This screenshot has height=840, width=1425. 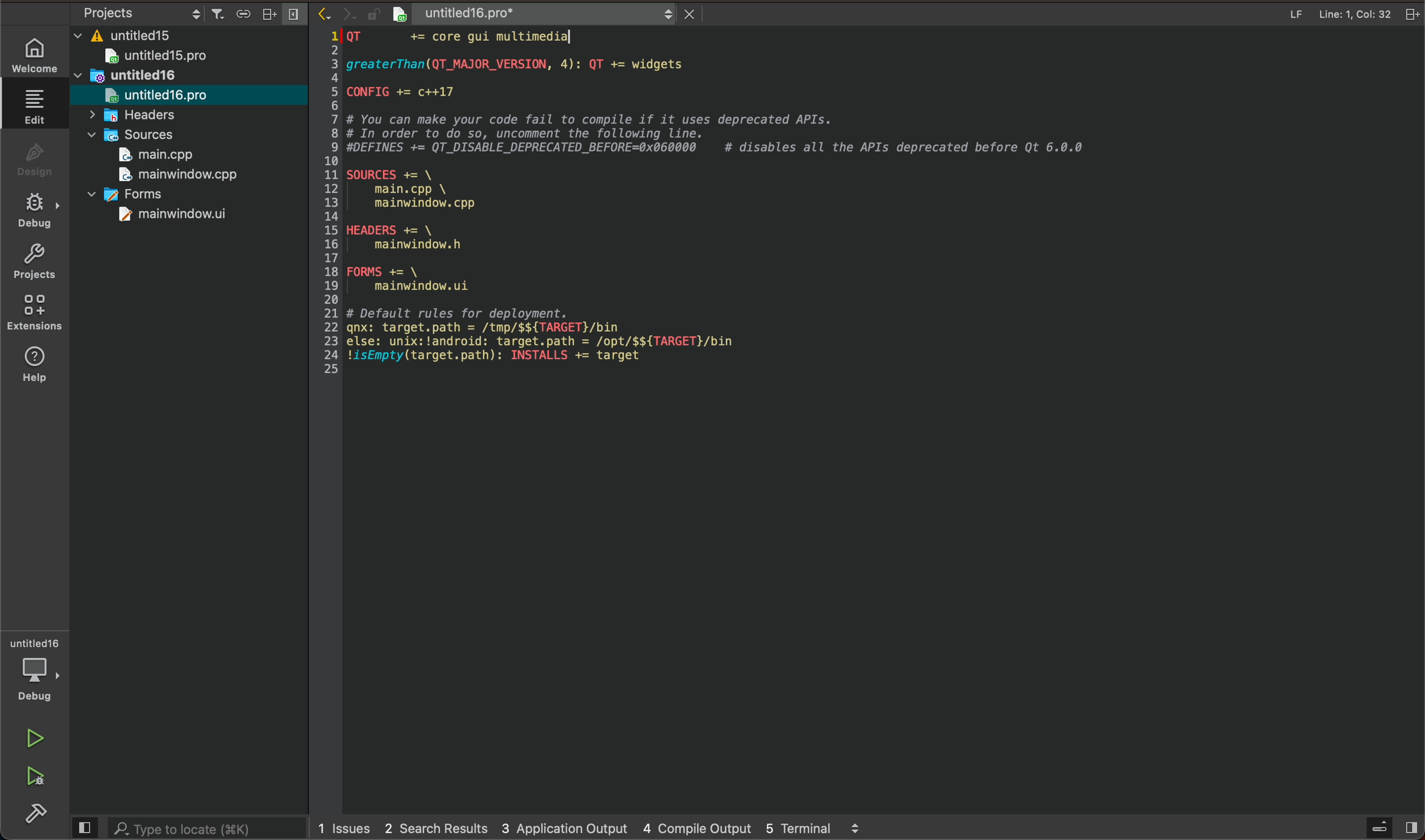 What do you see at coordinates (595, 826) in the screenshot?
I see `logs` at bounding box center [595, 826].